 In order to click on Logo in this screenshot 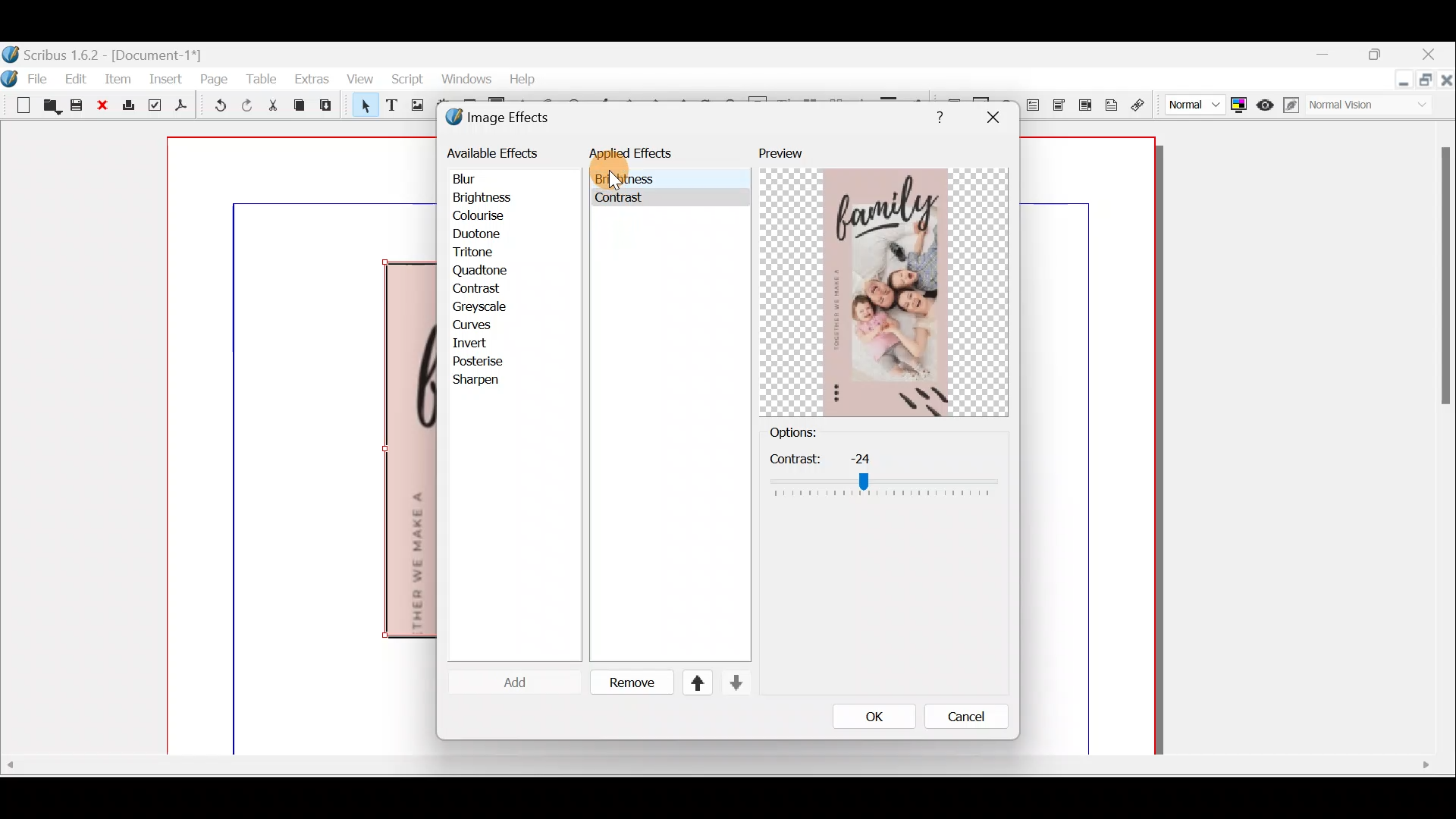, I will do `click(9, 77)`.